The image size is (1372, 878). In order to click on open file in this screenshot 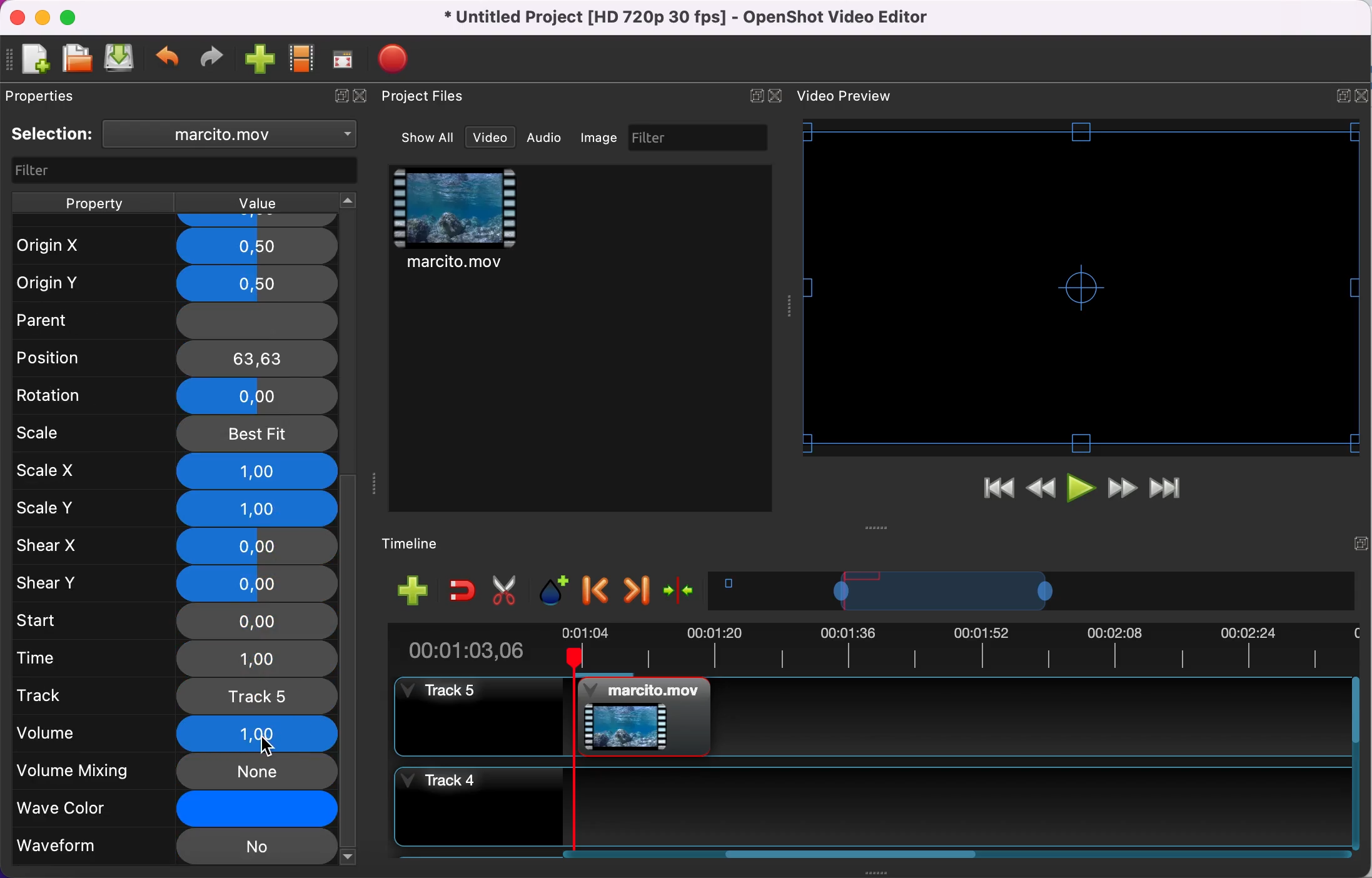, I will do `click(76, 59)`.